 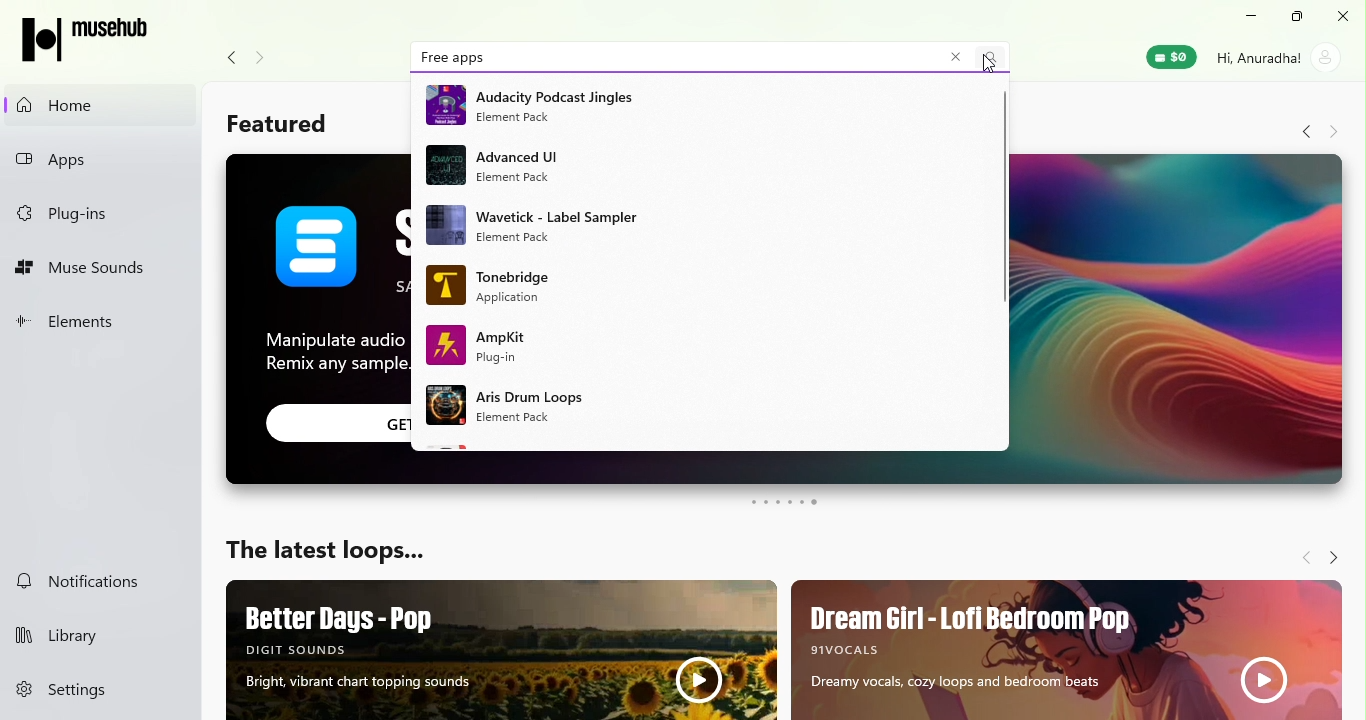 What do you see at coordinates (988, 64) in the screenshot?
I see `cursor` at bounding box center [988, 64].